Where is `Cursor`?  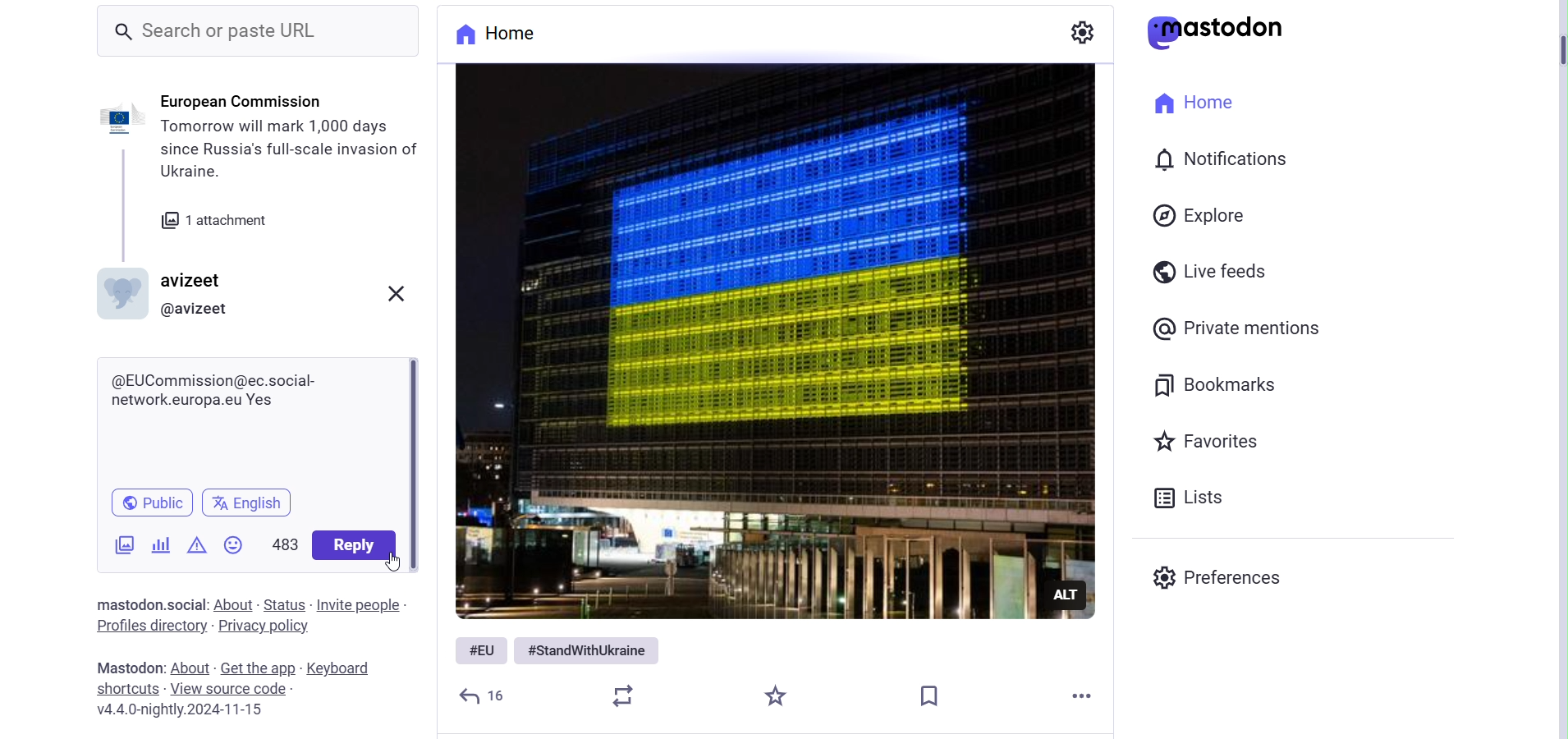
Cursor is located at coordinates (393, 562).